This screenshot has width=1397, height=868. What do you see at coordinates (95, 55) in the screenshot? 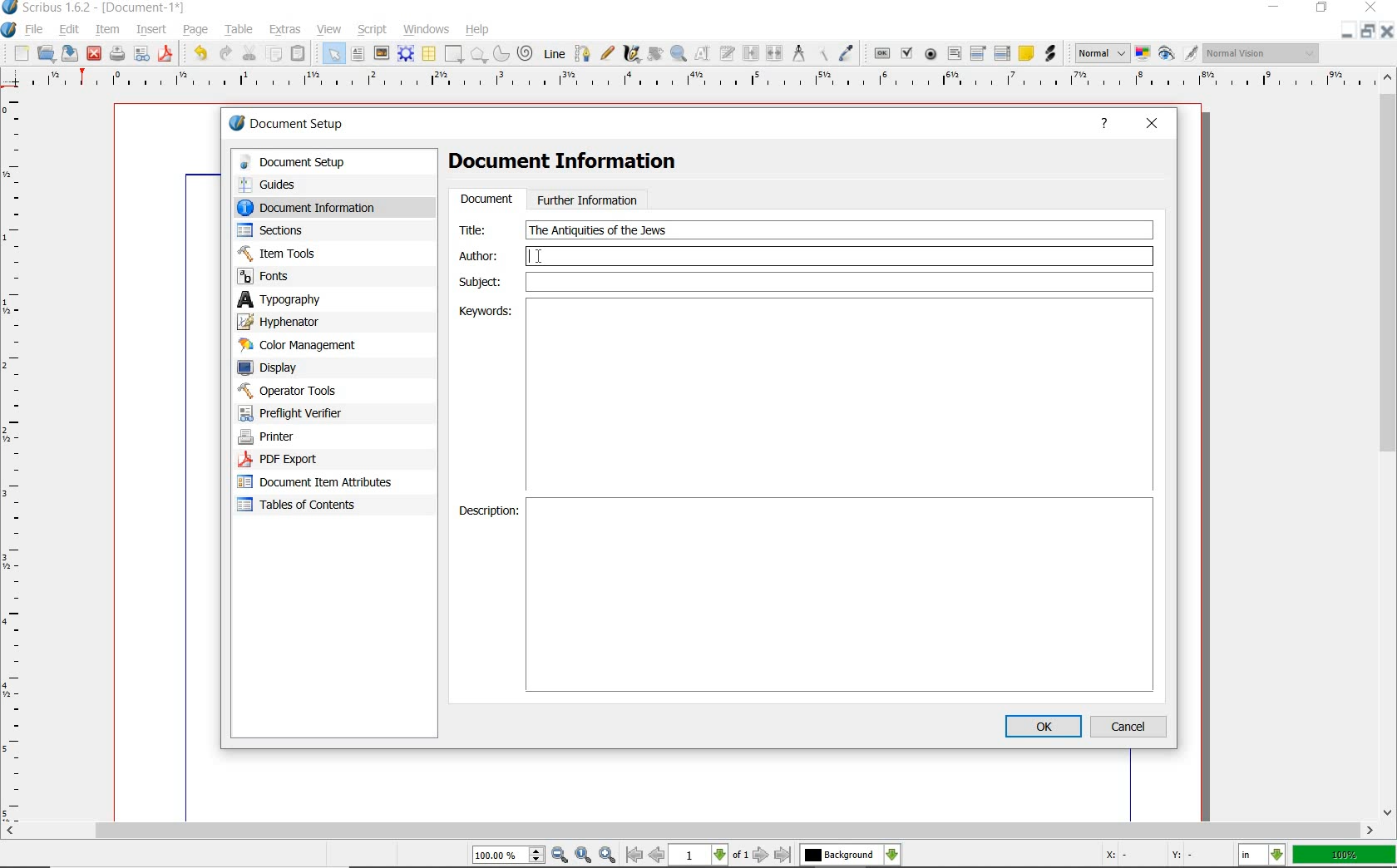
I see `close` at bounding box center [95, 55].